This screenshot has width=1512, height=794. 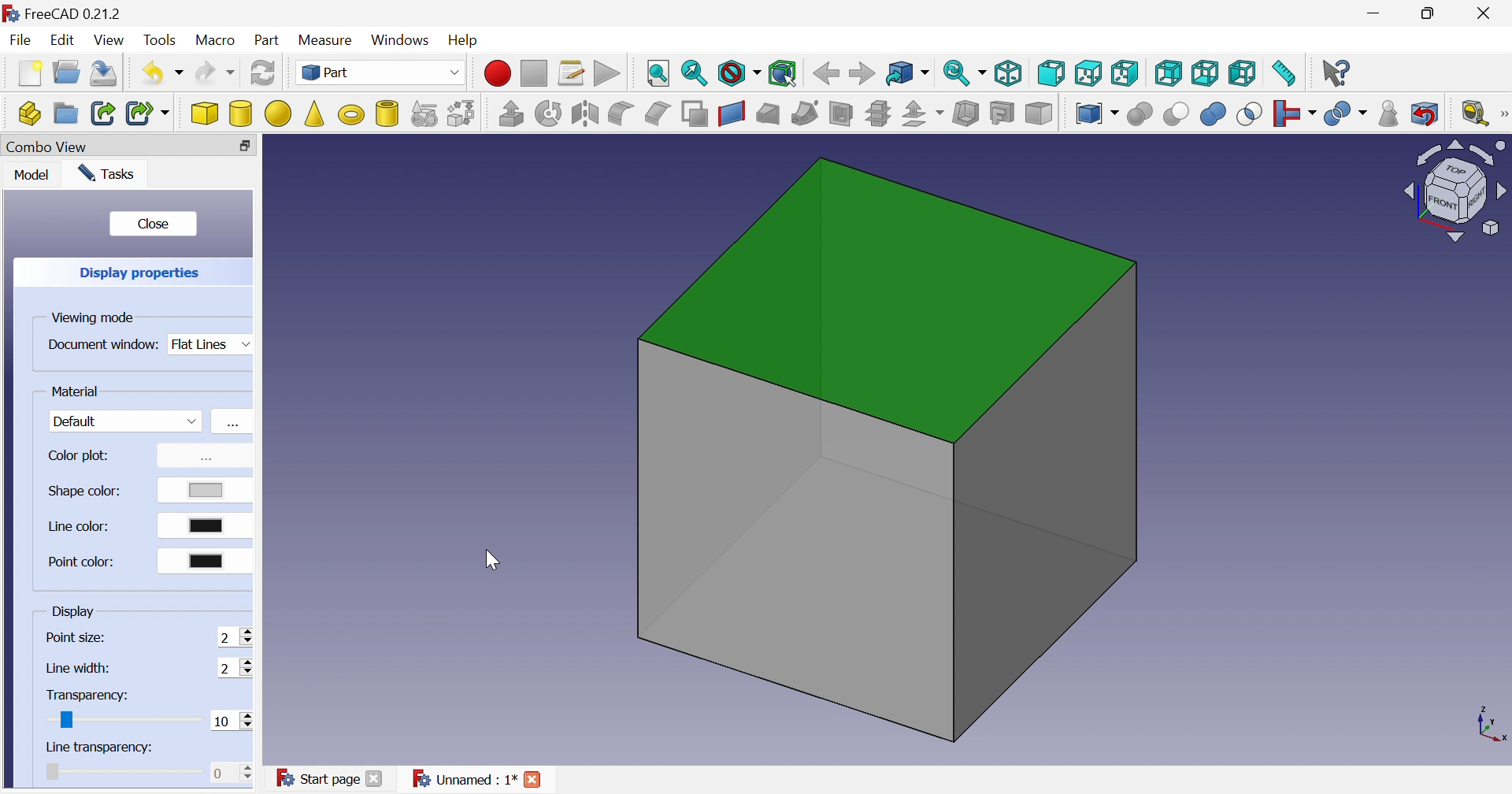 What do you see at coordinates (100, 113) in the screenshot?
I see `Make link` at bounding box center [100, 113].